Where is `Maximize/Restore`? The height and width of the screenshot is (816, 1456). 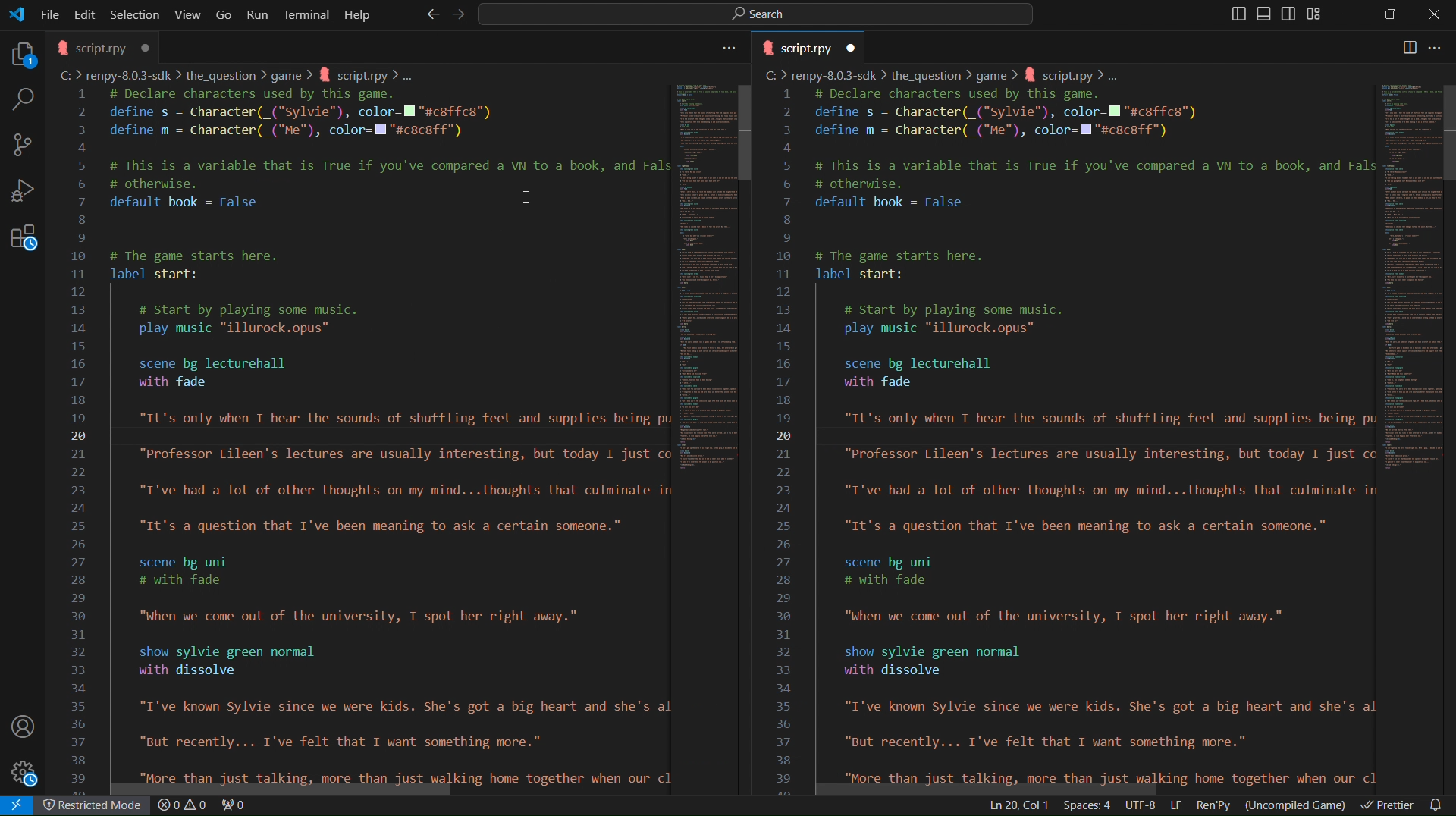
Maximize/Restore is located at coordinates (1392, 15).